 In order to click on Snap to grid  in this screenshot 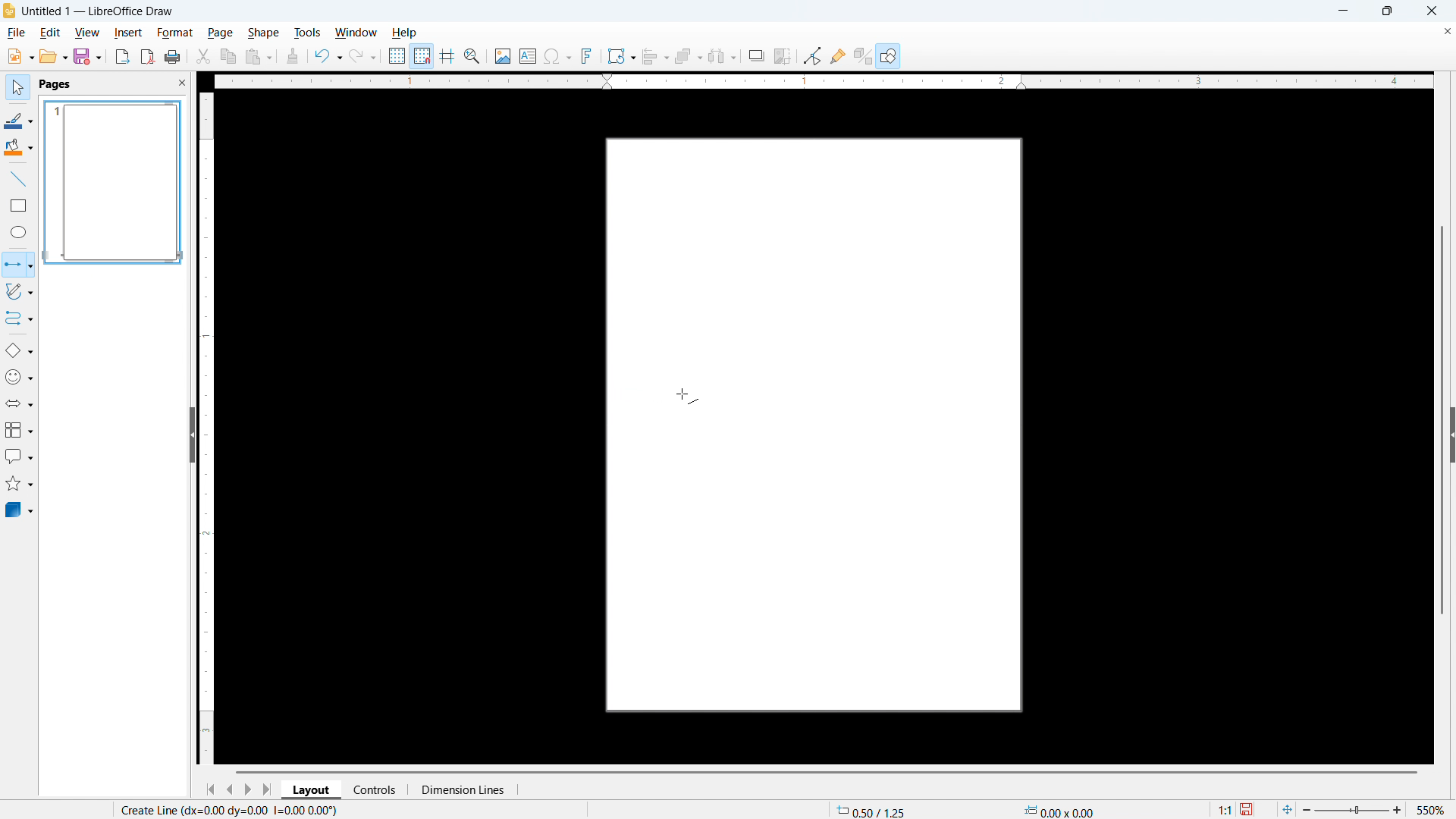, I will do `click(422, 56)`.